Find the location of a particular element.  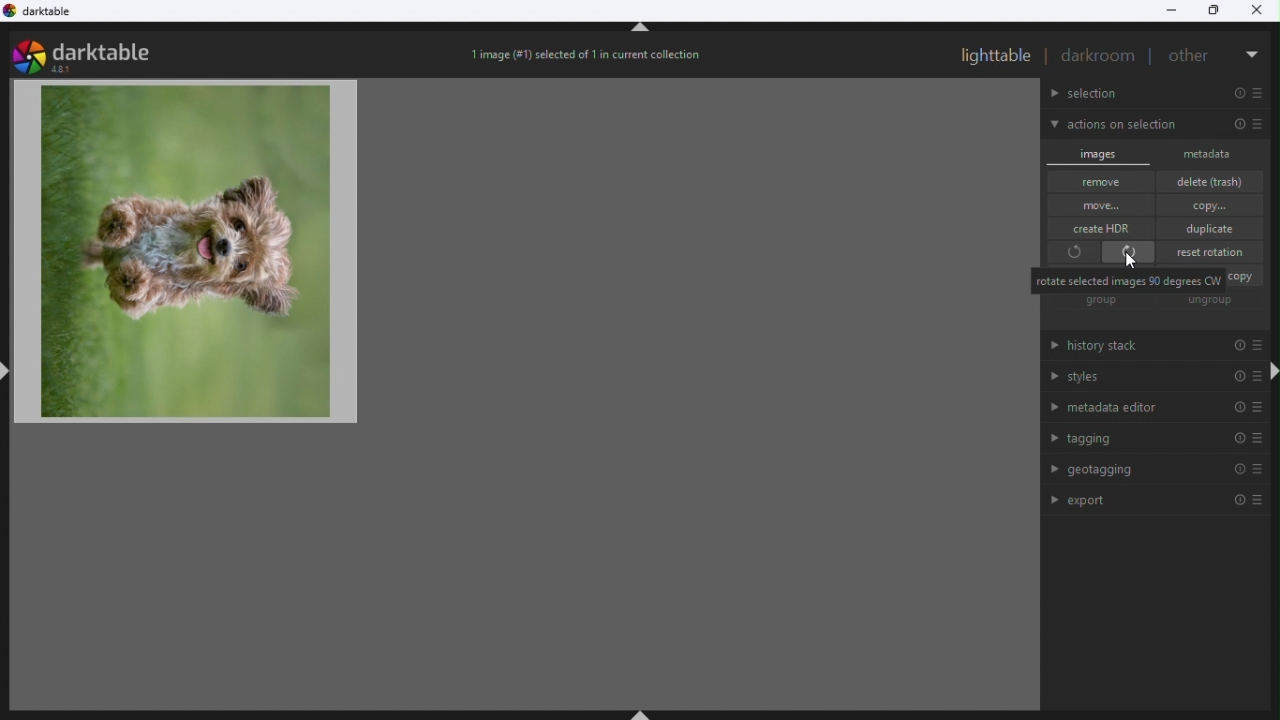

Rotate 90 degrees anti clockwise is located at coordinates (1071, 254).